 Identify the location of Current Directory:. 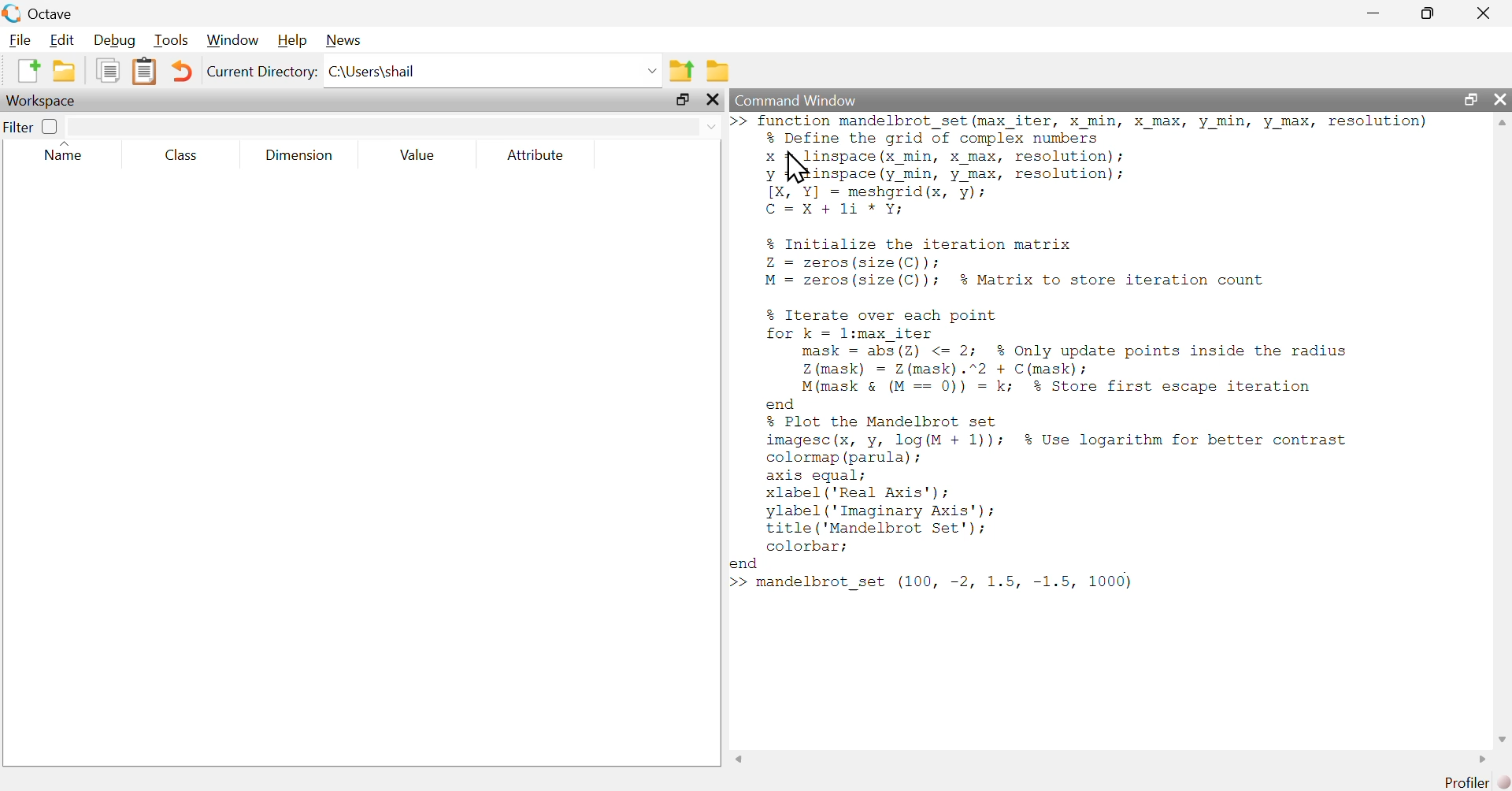
(261, 73).